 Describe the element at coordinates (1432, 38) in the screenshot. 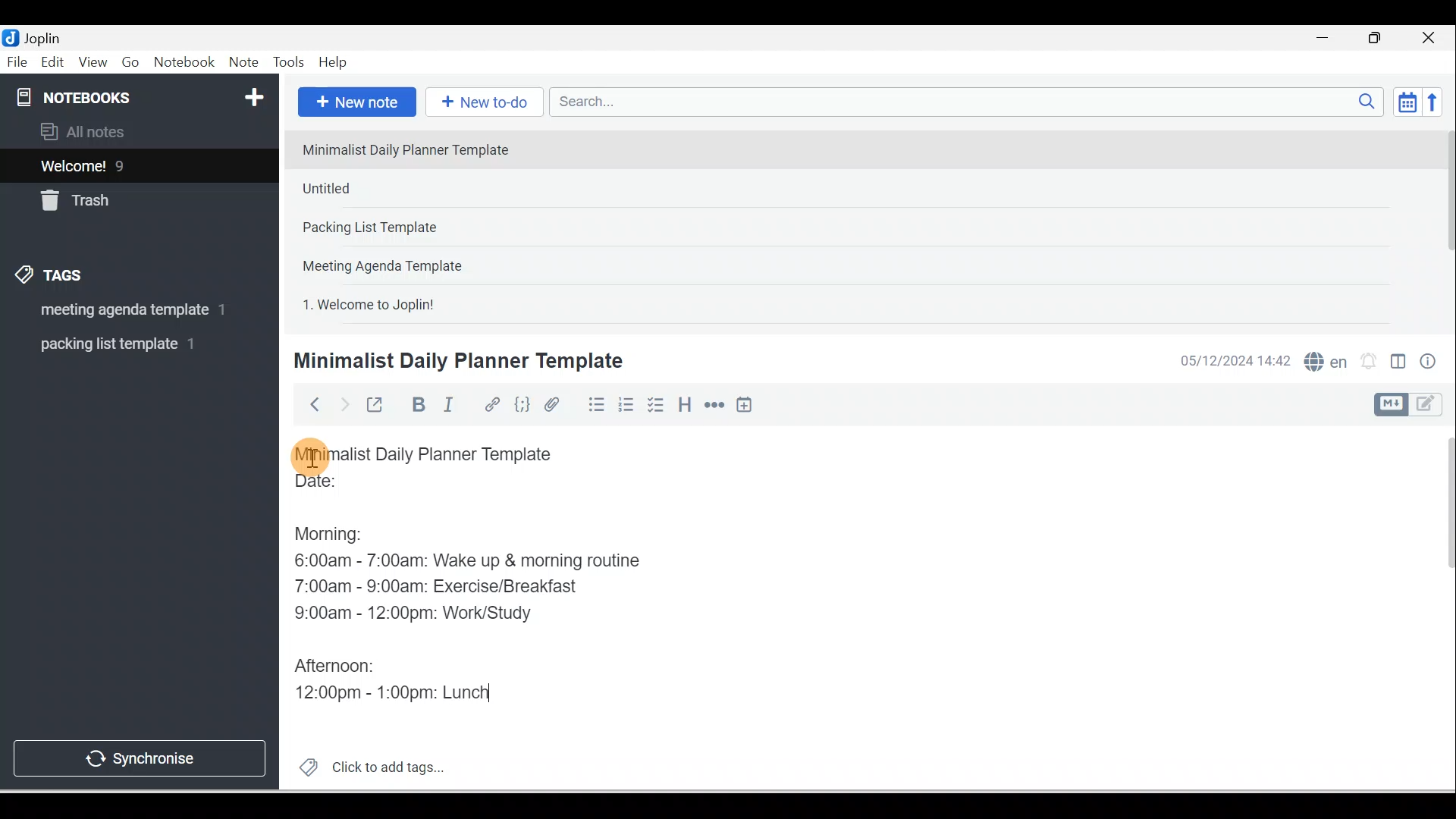

I see `Close` at that location.